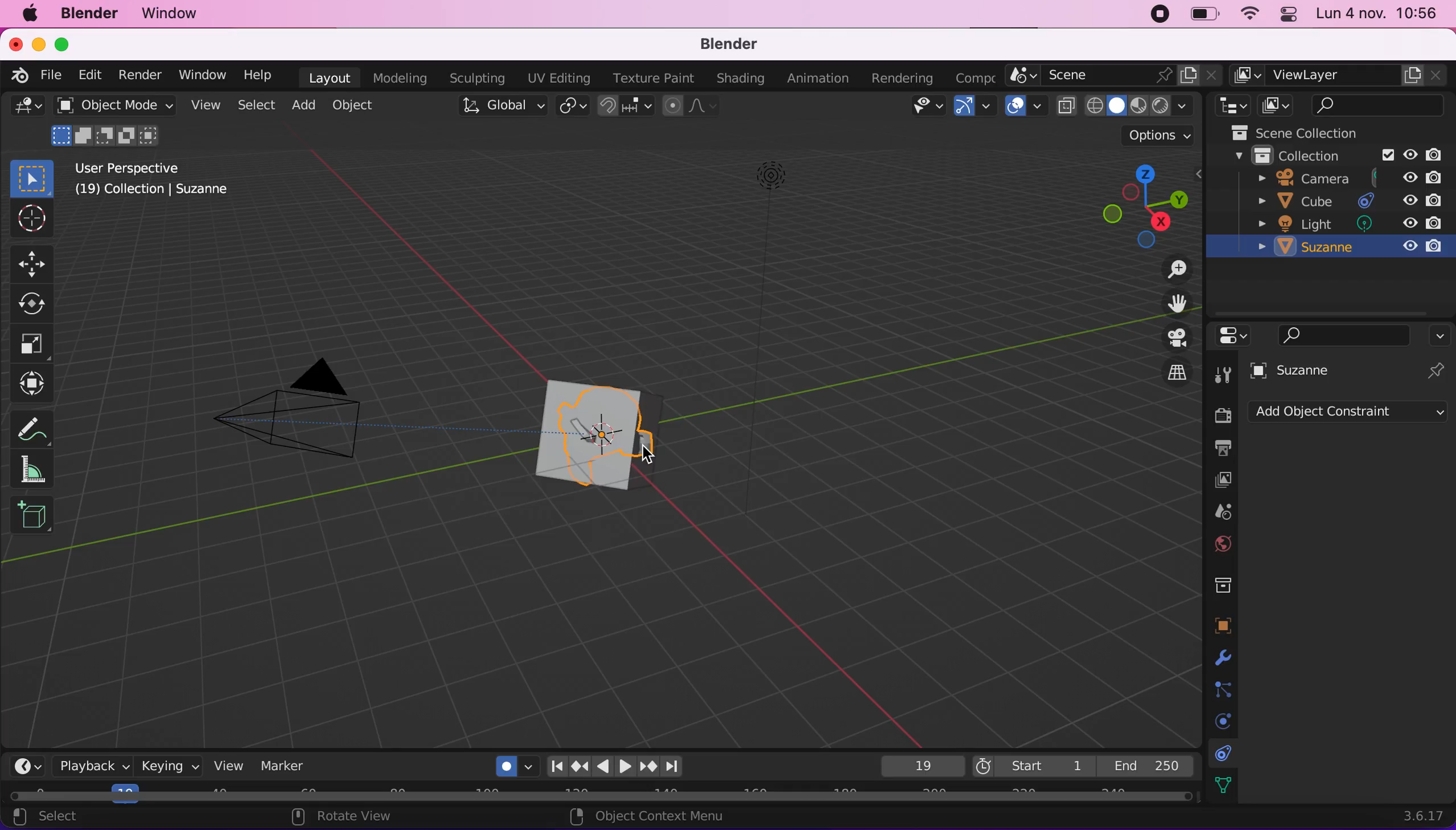  Describe the element at coordinates (201, 75) in the screenshot. I see `window` at that location.